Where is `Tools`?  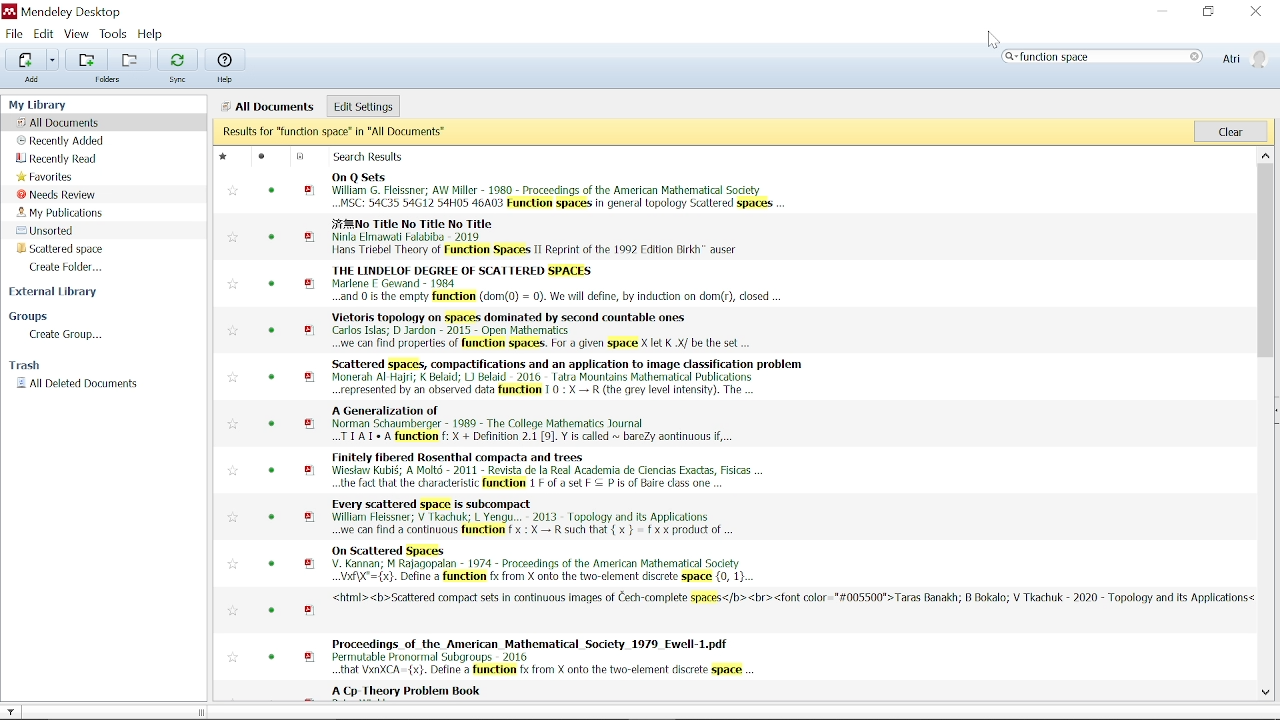
Tools is located at coordinates (115, 34).